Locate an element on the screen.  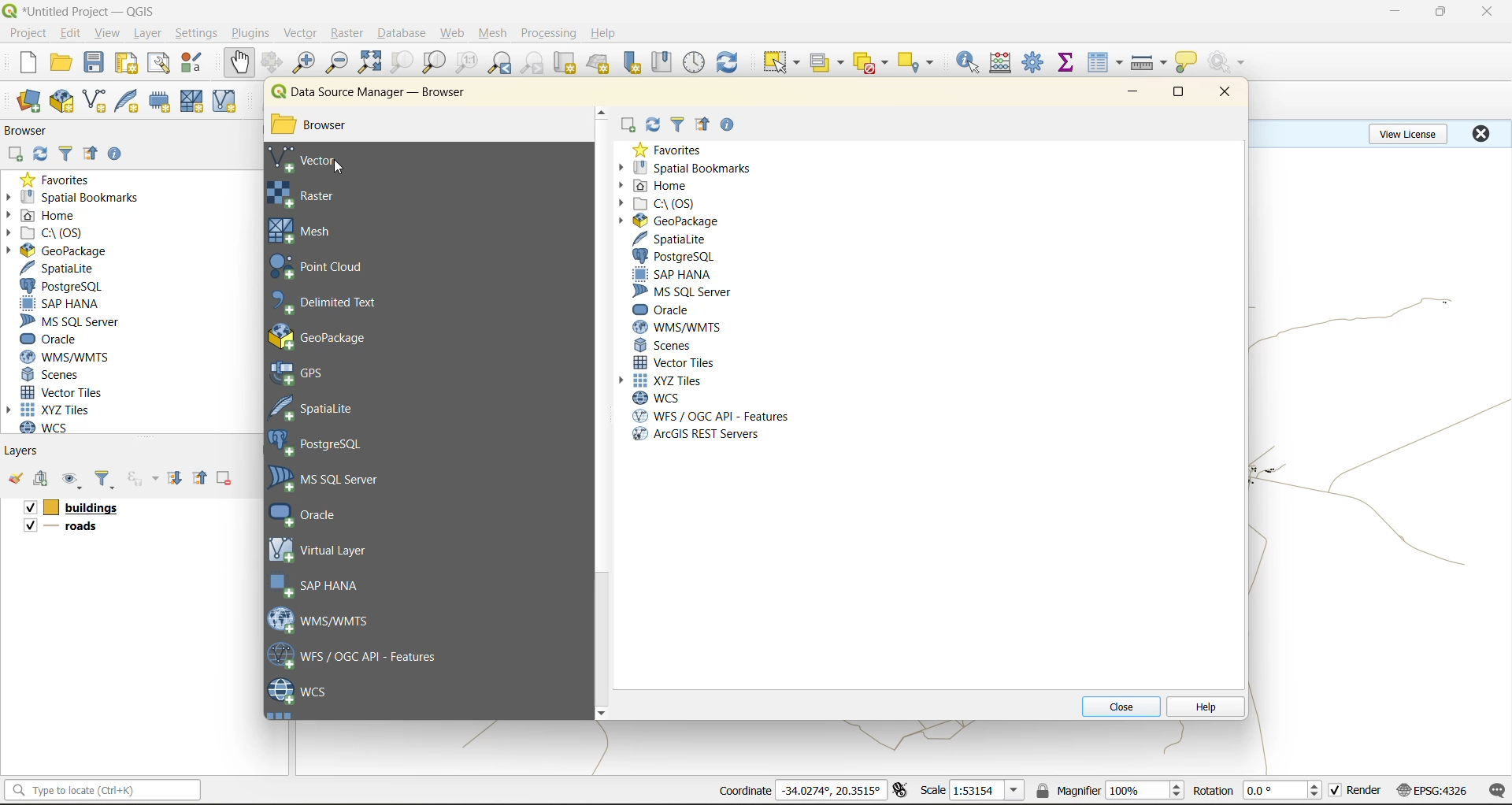
oracle is located at coordinates (317, 514).